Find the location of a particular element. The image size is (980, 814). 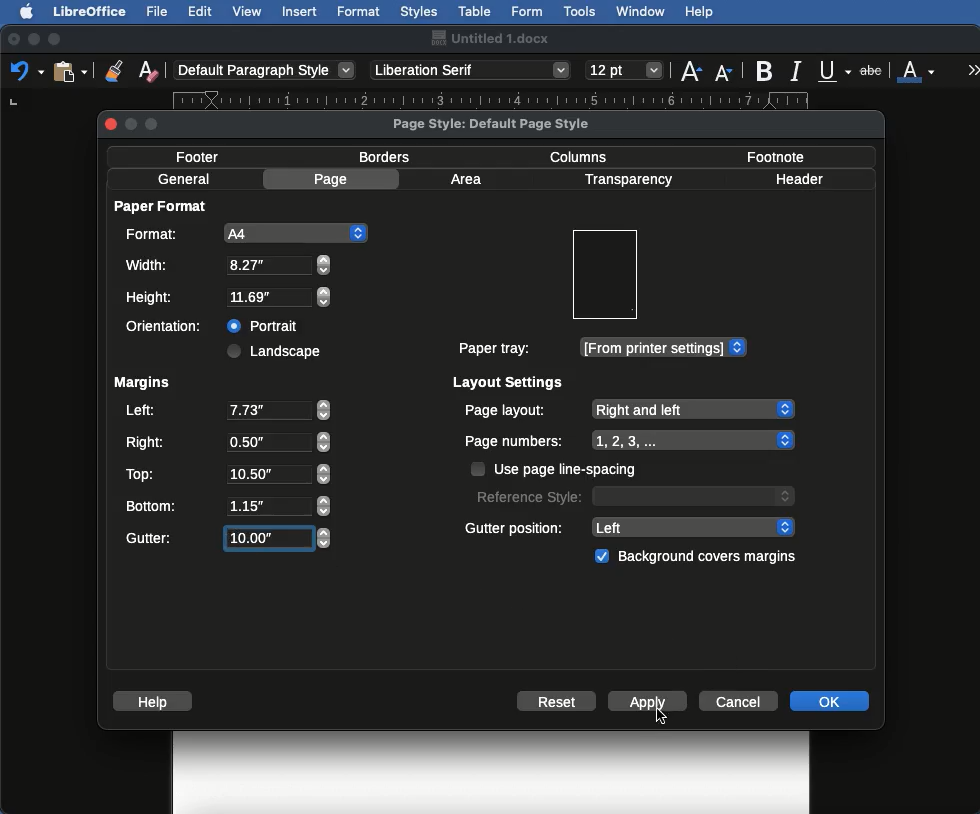

Maximize is located at coordinates (56, 39).